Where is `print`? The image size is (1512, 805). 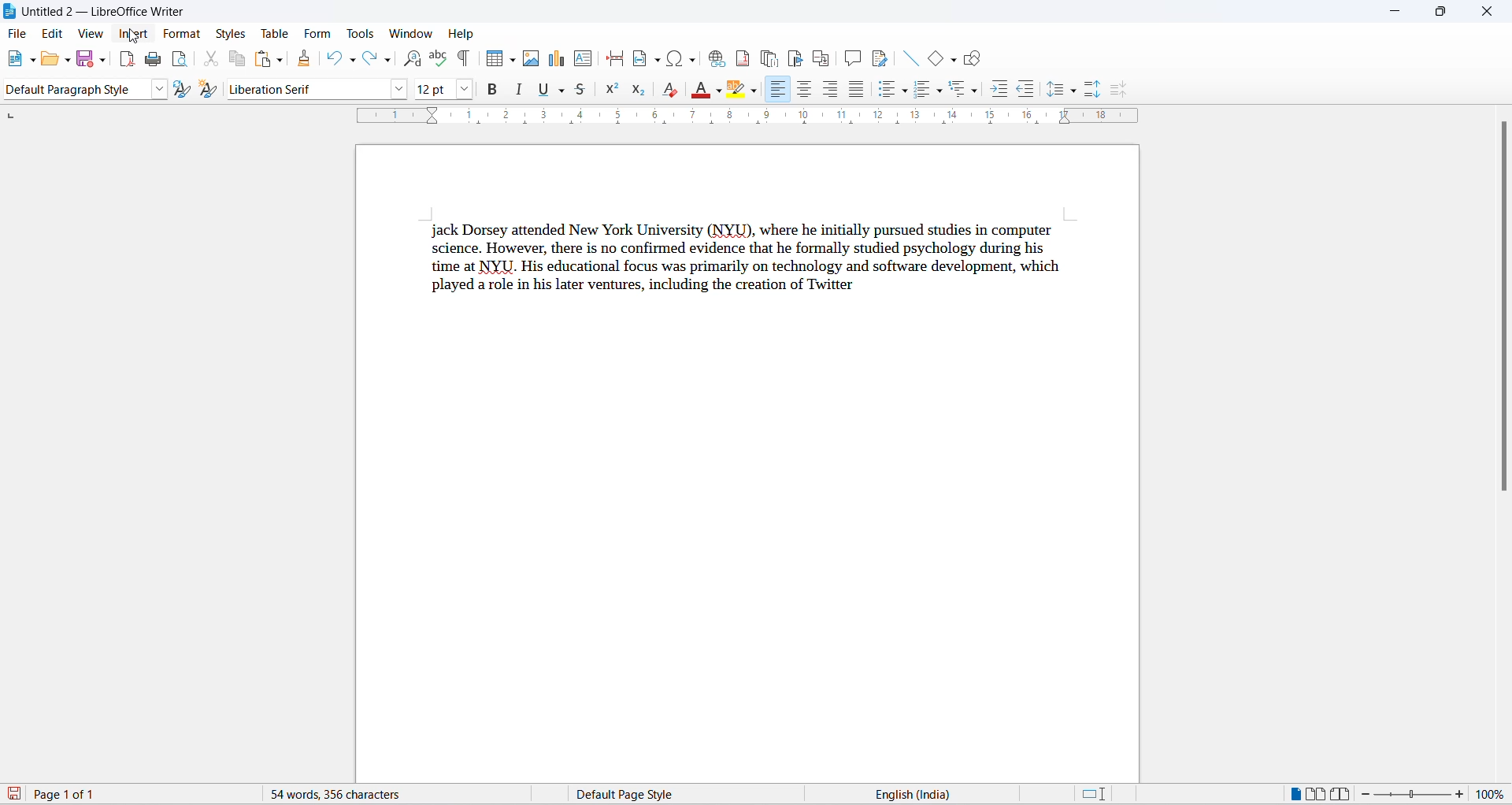 print is located at coordinates (154, 62).